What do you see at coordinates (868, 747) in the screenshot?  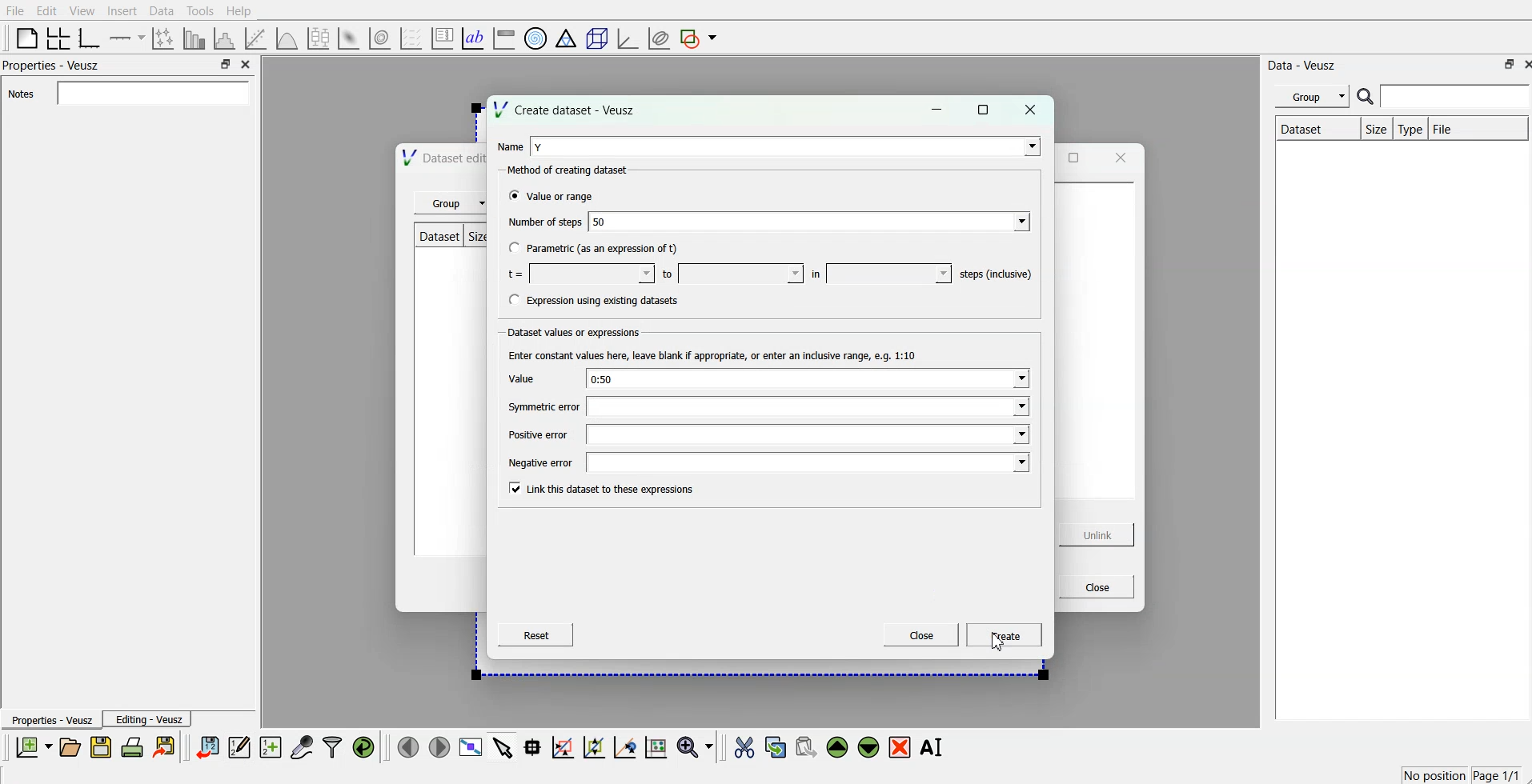 I see `move the selected widgets down` at bounding box center [868, 747].